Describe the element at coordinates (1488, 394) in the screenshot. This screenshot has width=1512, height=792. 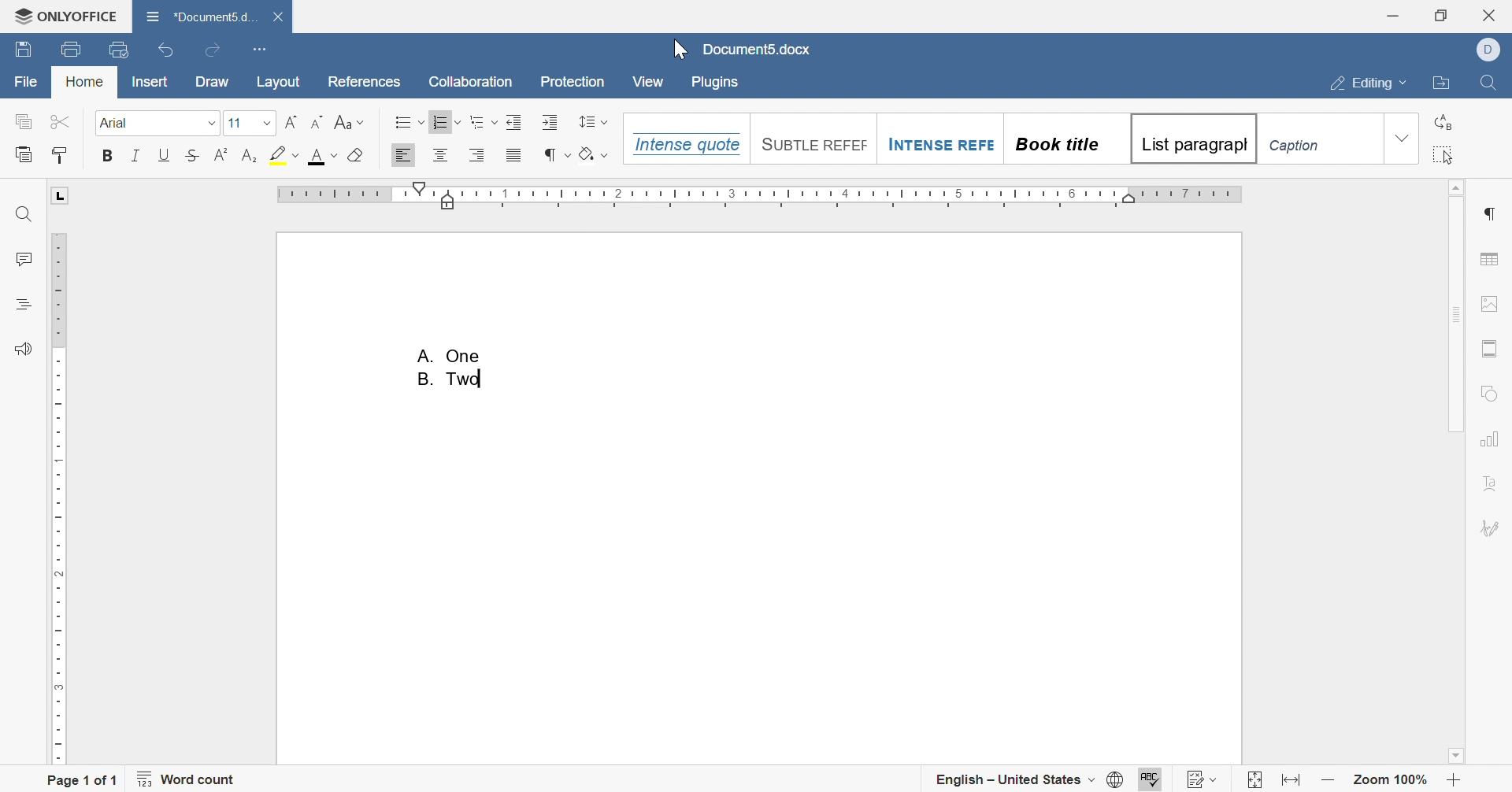
I see `shape settings` at that location.